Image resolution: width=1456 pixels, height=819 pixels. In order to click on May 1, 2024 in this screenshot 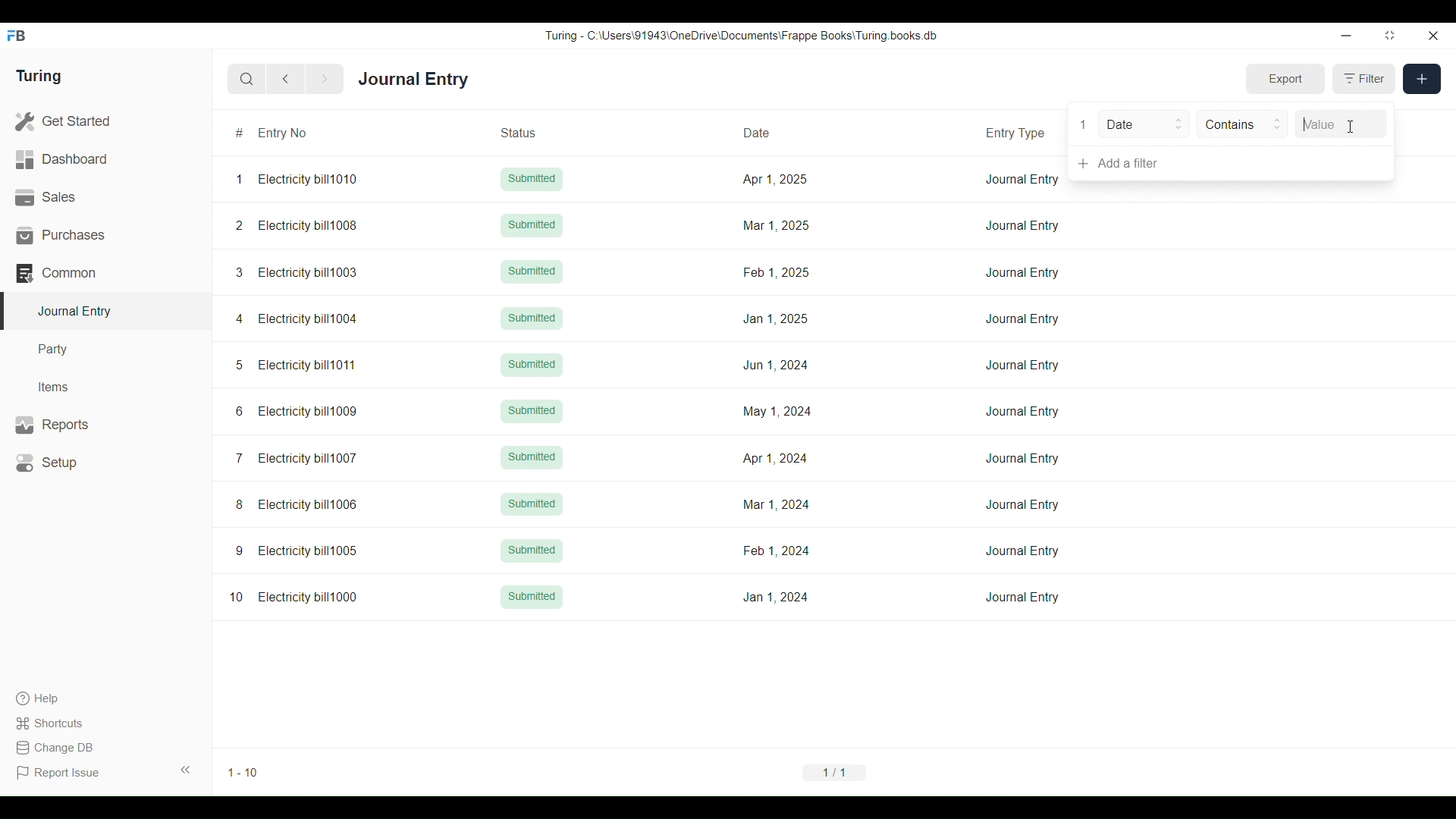, I will do `click(777, 410)`.